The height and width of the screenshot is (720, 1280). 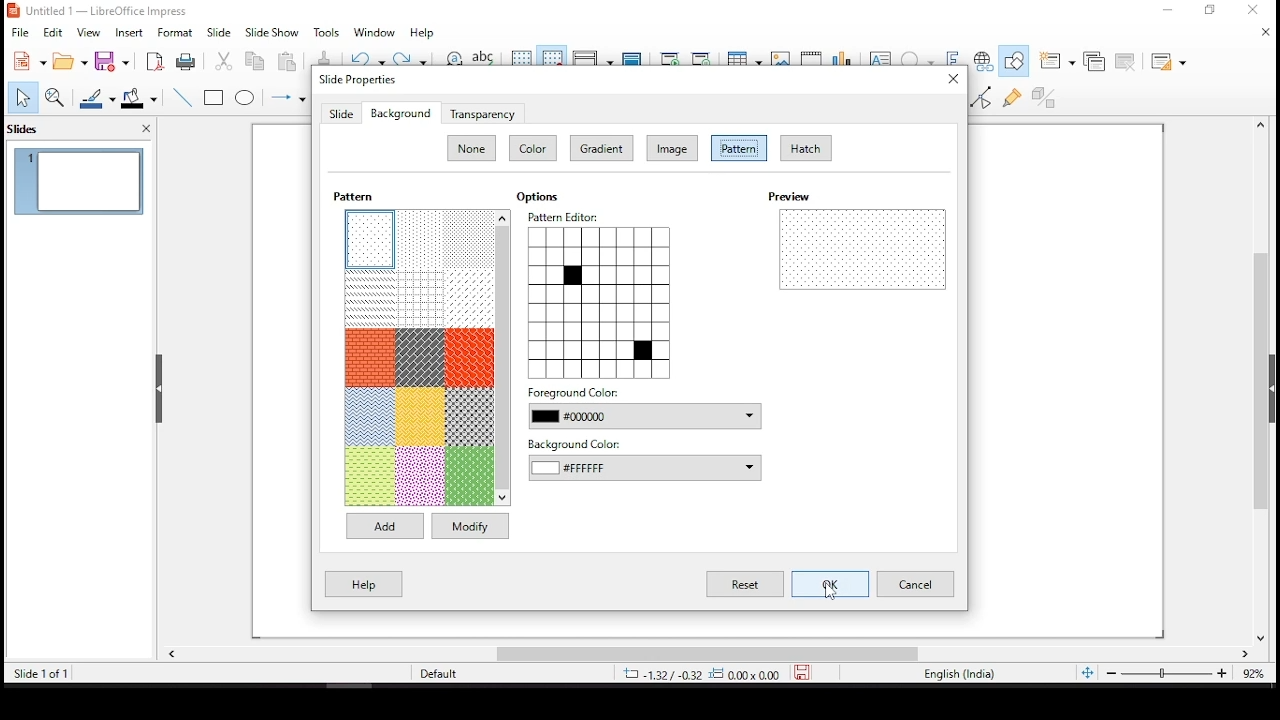 What do you see at coordinates (862, 248) in the screenshot?
I see `preview` at bounding box center [862, 248].